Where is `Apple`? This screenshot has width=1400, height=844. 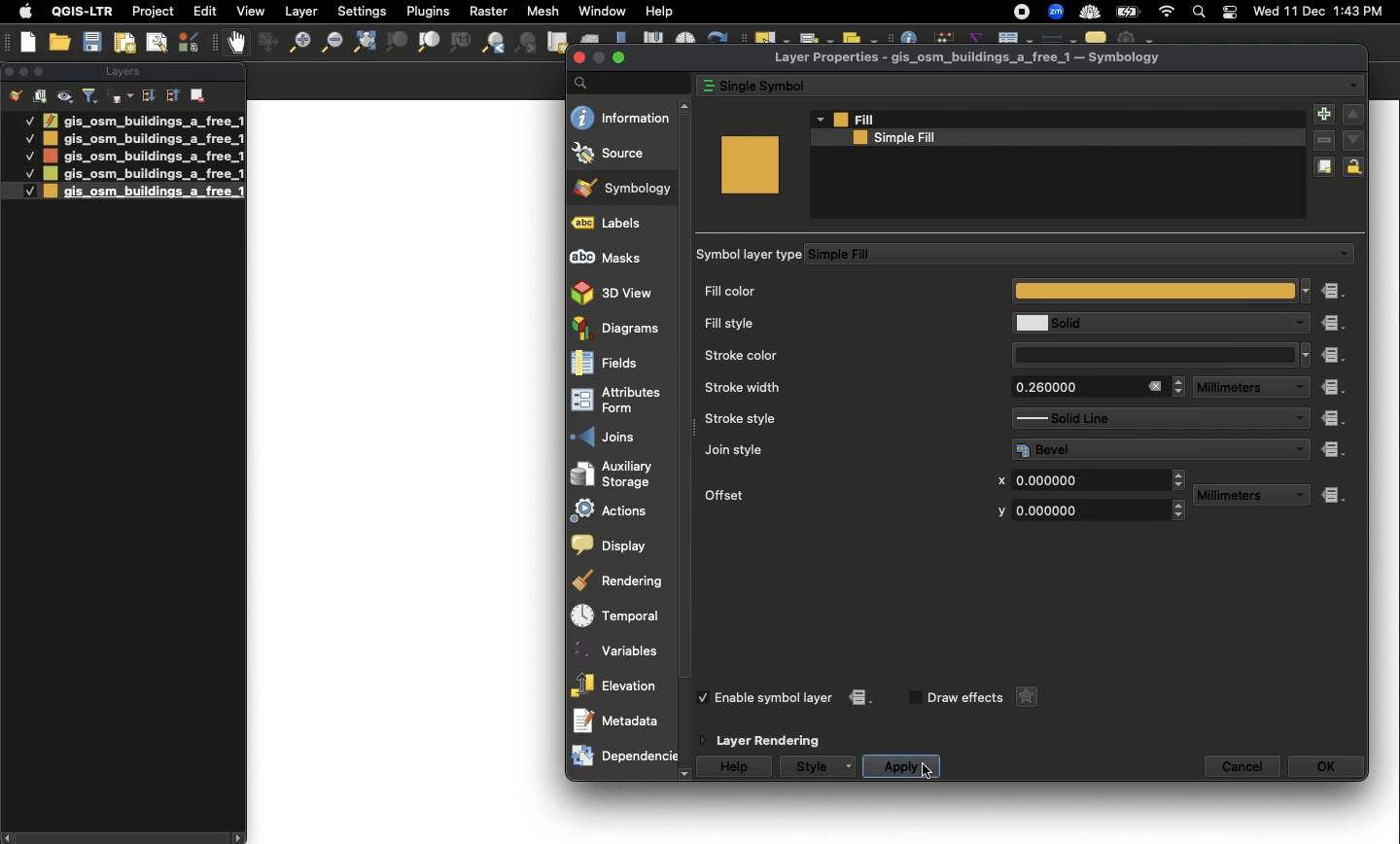
Apple is located at coordinates (22, 12).